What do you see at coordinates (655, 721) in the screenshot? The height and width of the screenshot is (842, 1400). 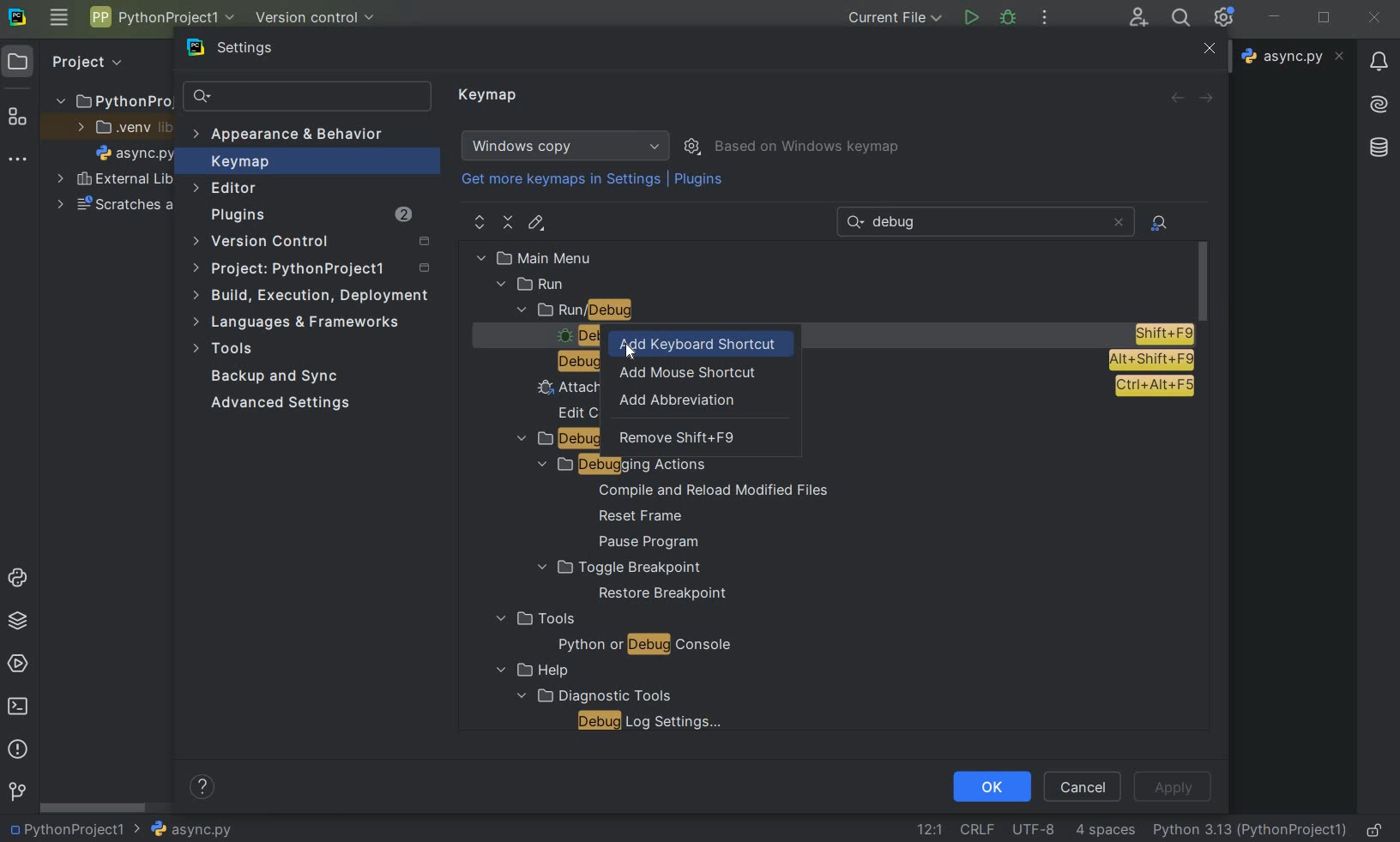 I see `debug log settings` at bounding box center [655, 721].